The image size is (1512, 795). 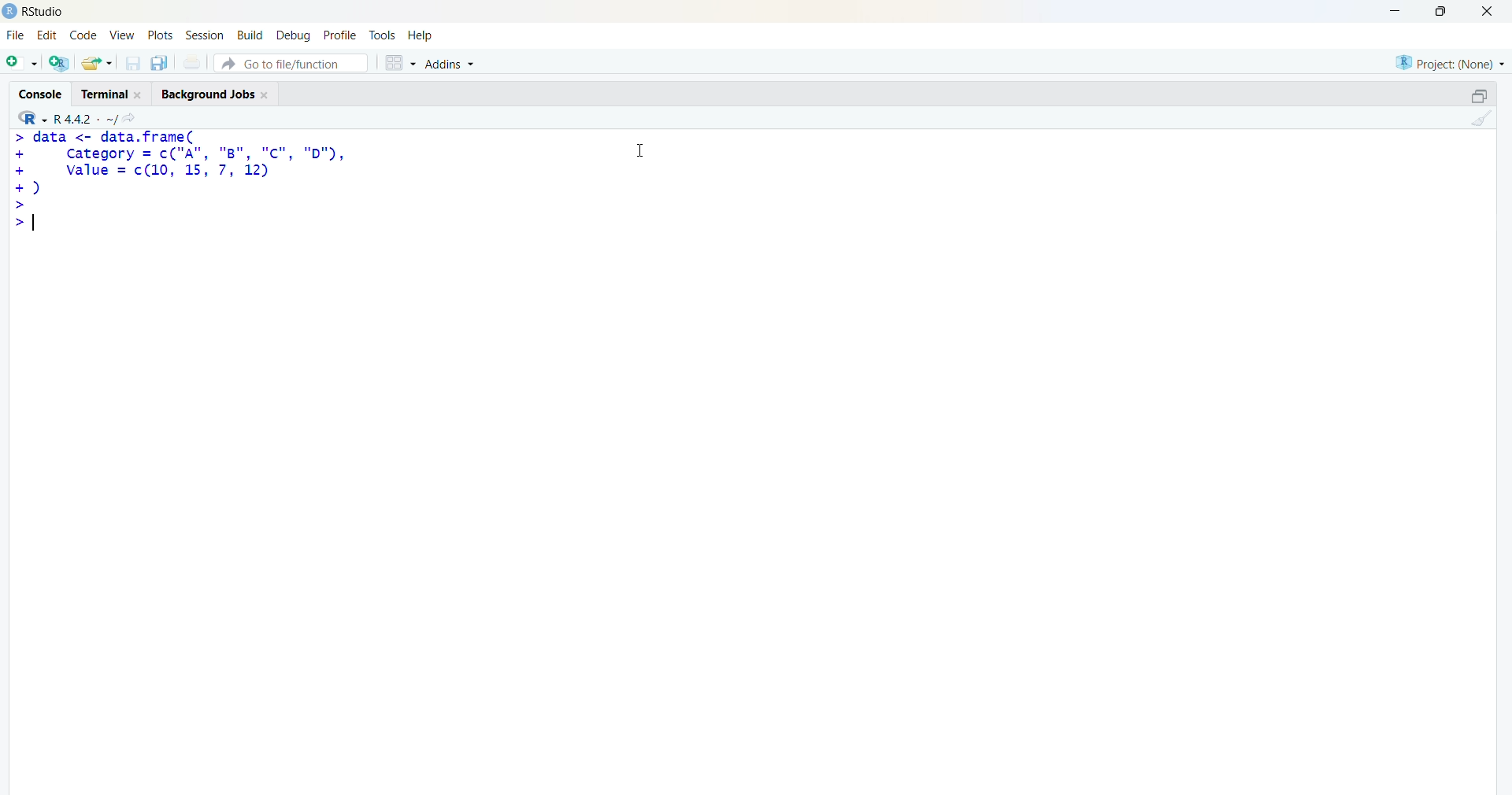 I want to click on Addins, so click(x=453, y=65).